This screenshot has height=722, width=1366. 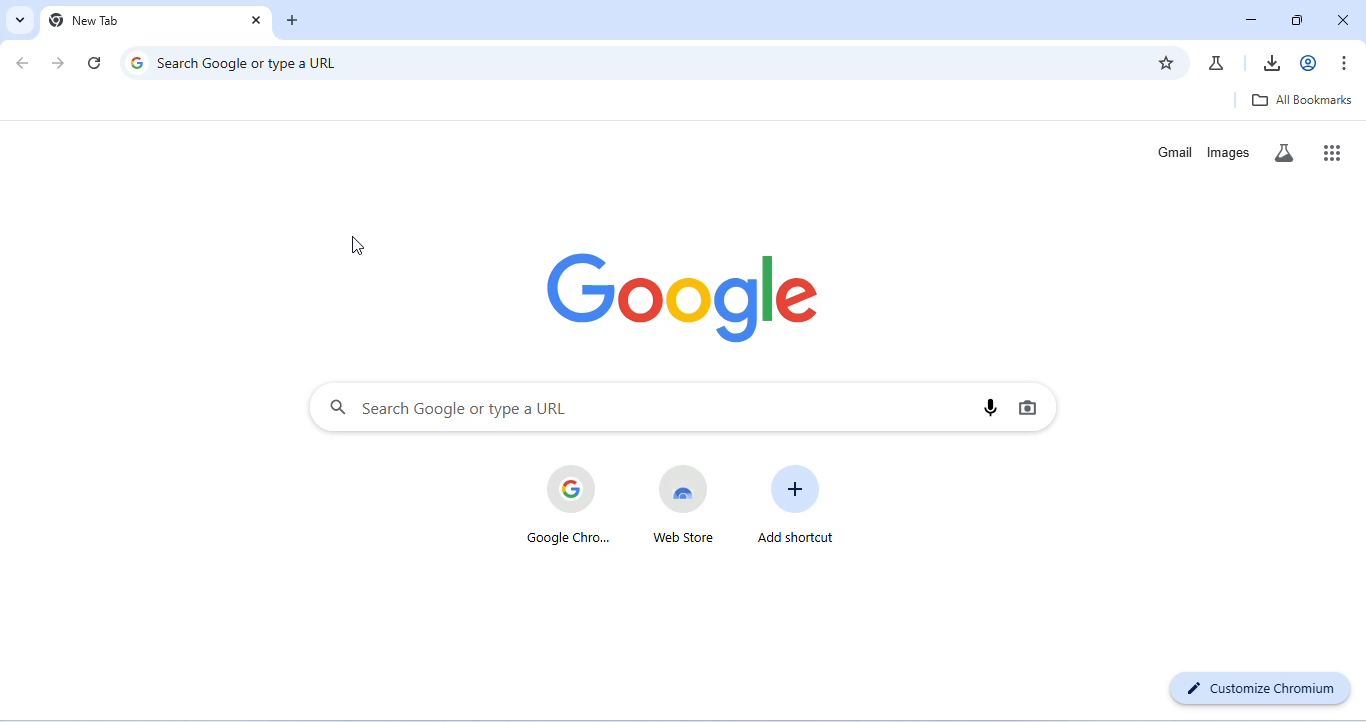 What do you see at coordinates (20, 64) in the screenshot?
I see `go back` at bounding box center [20, 64].